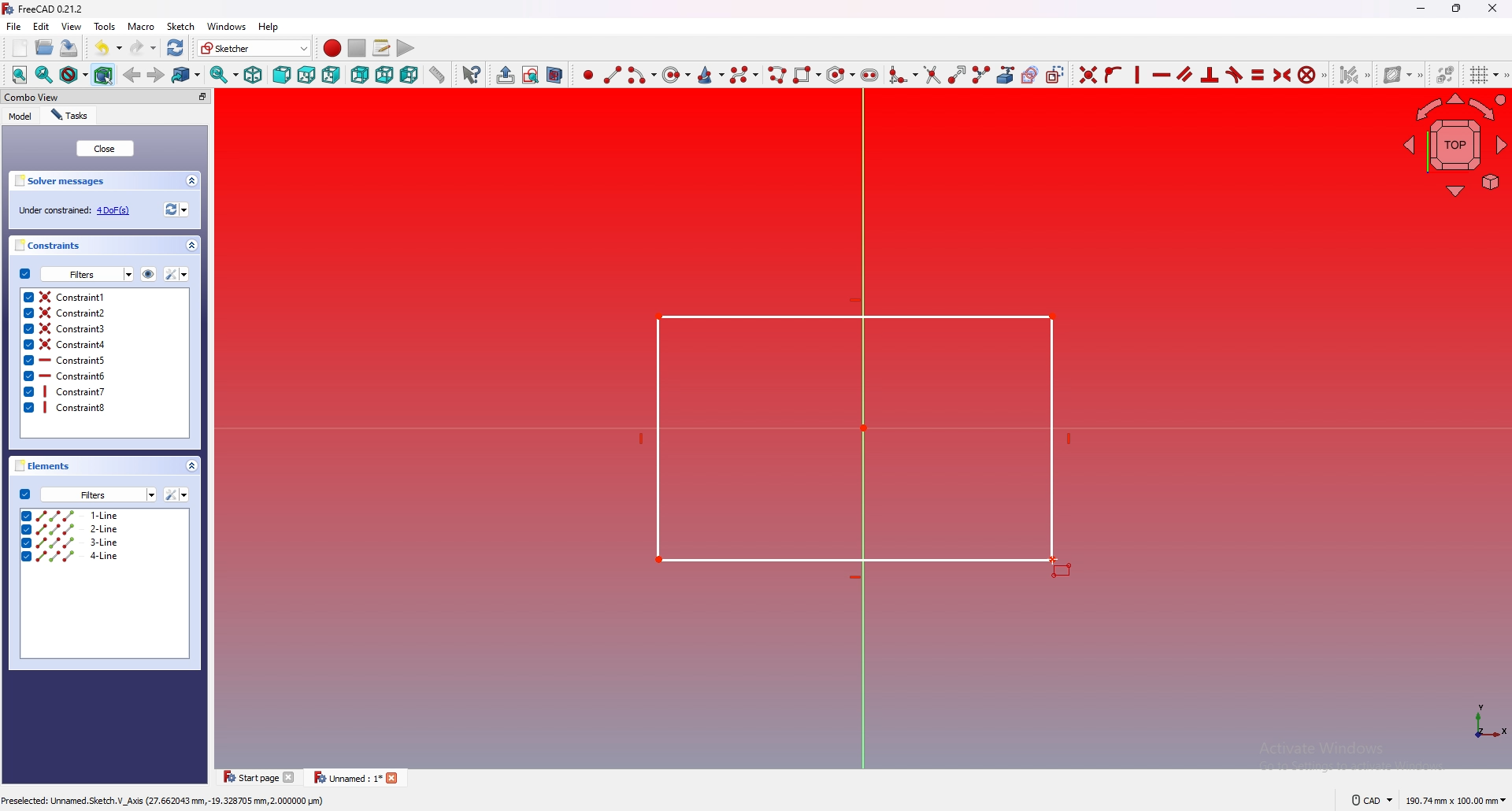 The image size is (1512, 811). Describe the element at coordinates (14, 26) in the screenshot. I see `file` at that location.